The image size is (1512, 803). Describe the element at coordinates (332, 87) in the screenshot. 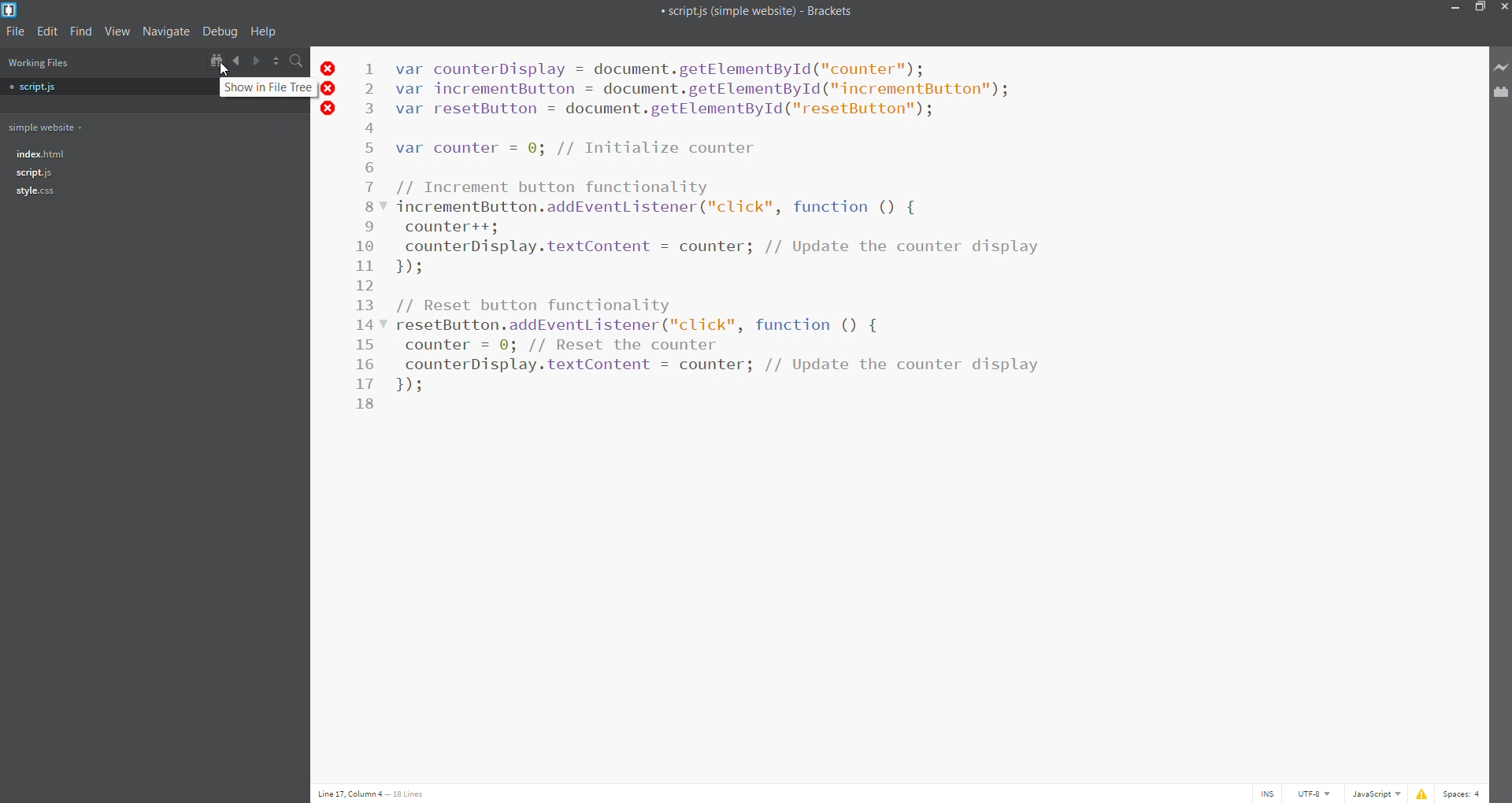

I see `line error` at that location.